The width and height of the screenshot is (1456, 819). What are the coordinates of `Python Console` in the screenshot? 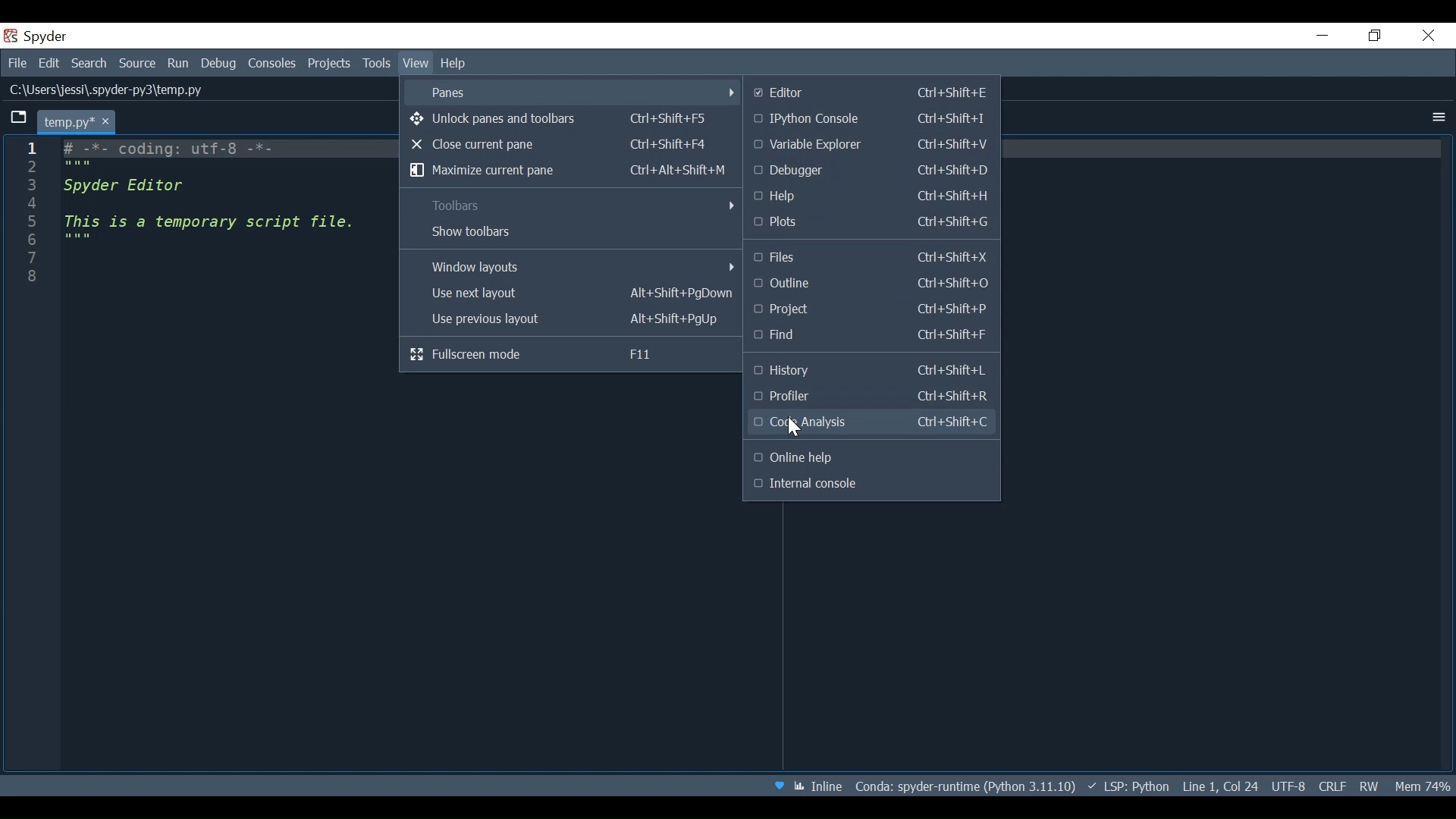 It's located at (871, 119).